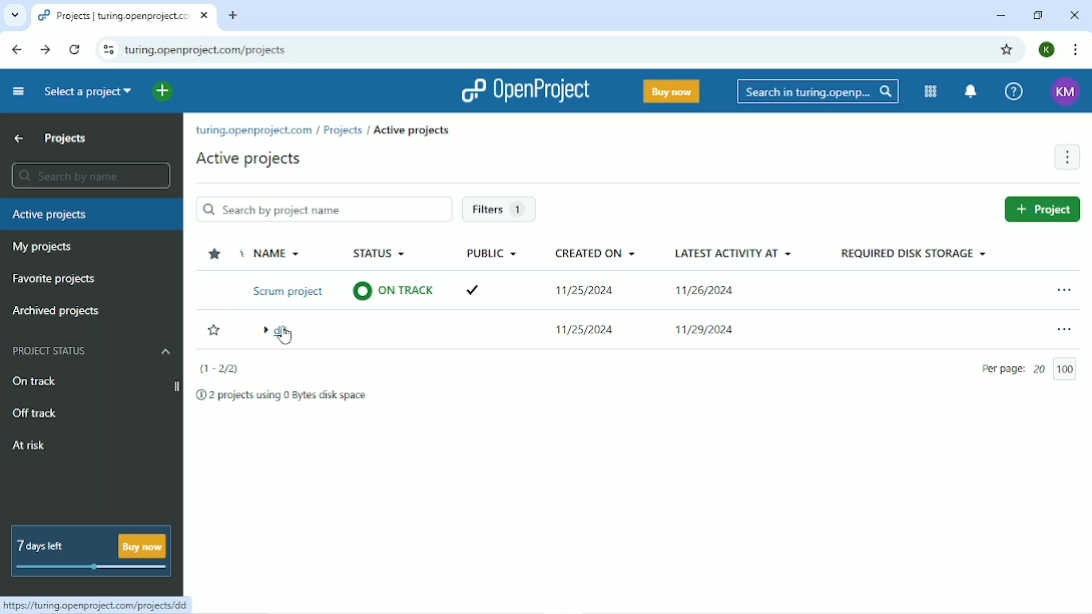 The image size is (1092, 614). Describe the element at coordinates (586, 291) in the screenshot. I see `11/25/2024` at that location.